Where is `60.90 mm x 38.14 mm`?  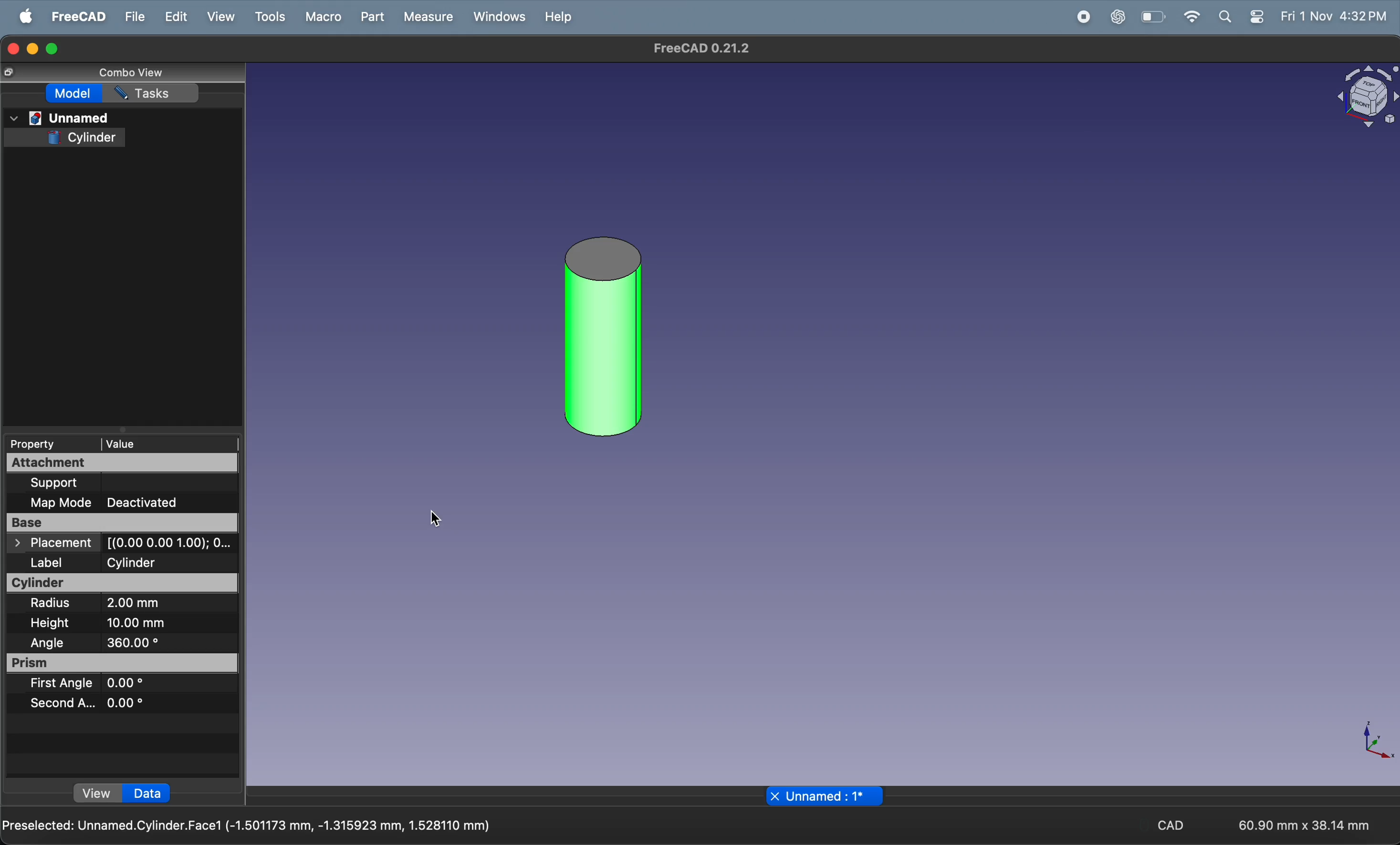
60.90 mm x 38.14 mm is located at coordinates (1304, 825).